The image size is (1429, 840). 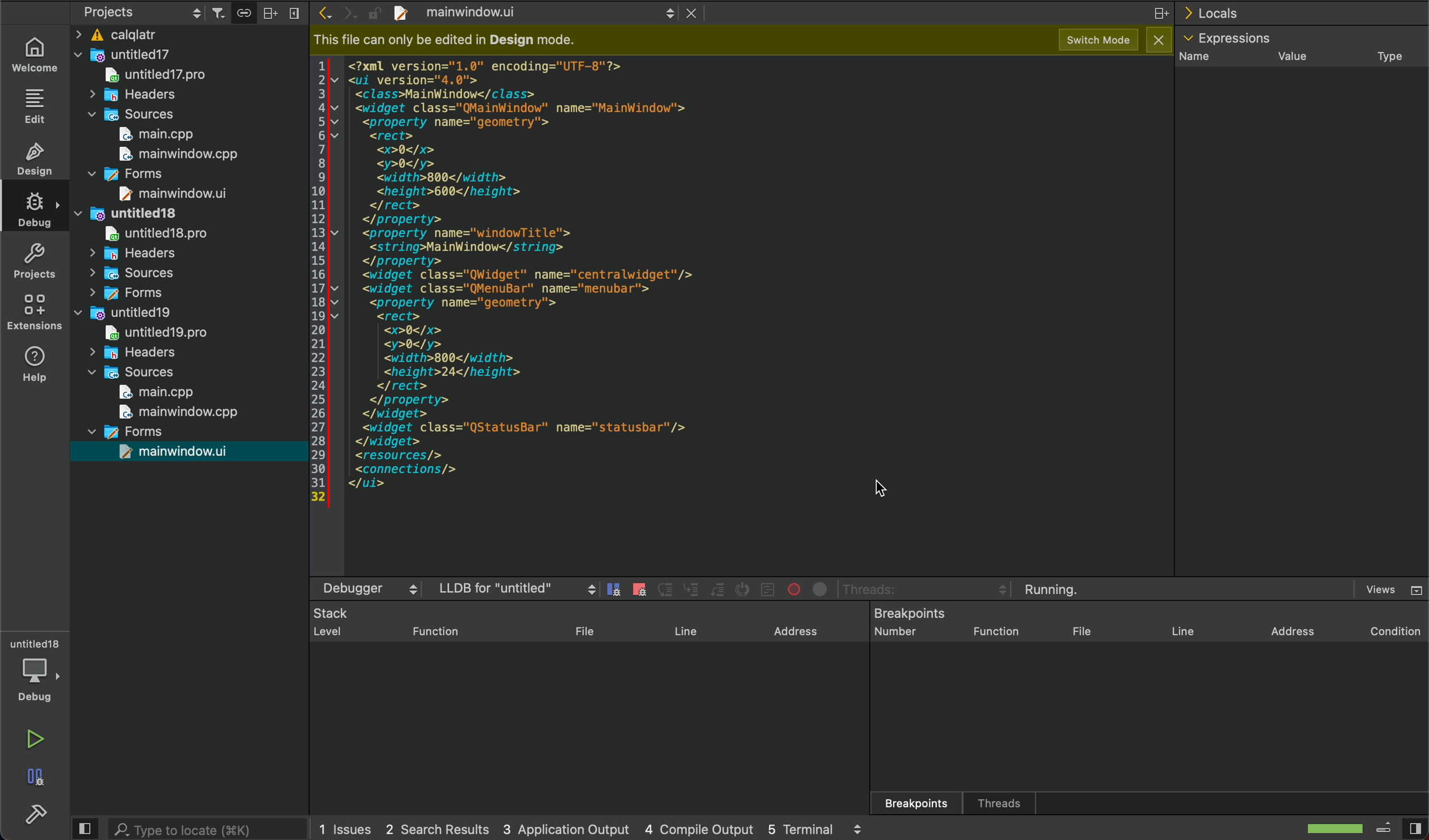 I want to click on terminal button, so click(x=666, y=588).